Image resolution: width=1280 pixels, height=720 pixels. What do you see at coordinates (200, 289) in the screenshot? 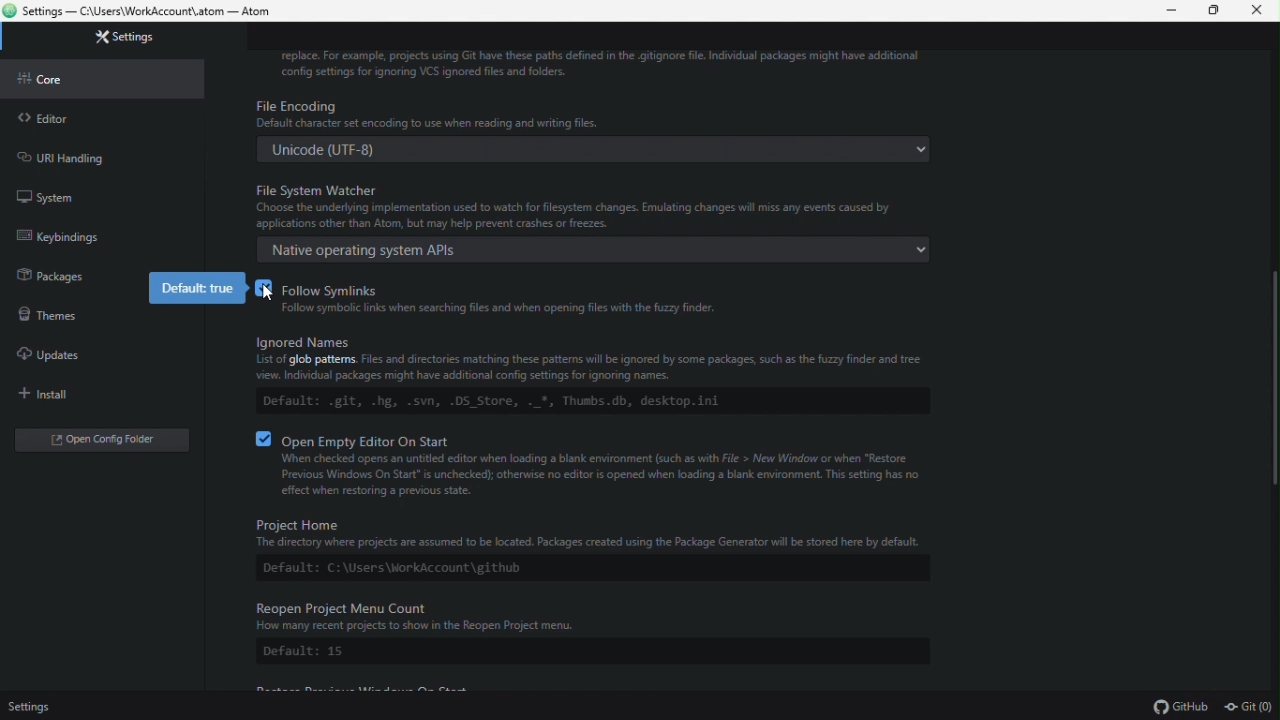
I see `default value` at bounding box center [200, 289].